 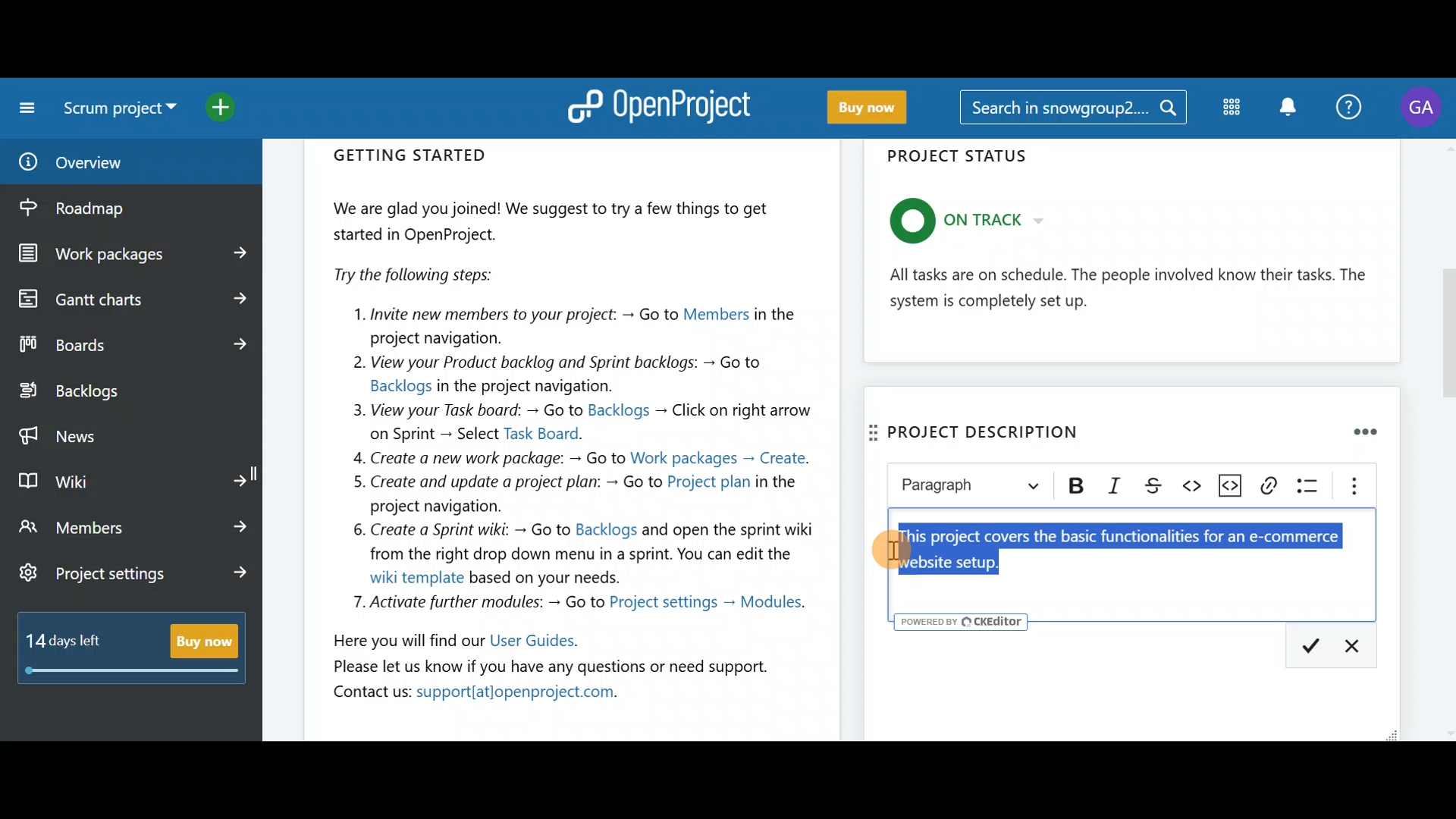 What do you see at coordinates (1370, 434) in the screenshot?
I see `Remove widget` at bounding box center [1370, 434].